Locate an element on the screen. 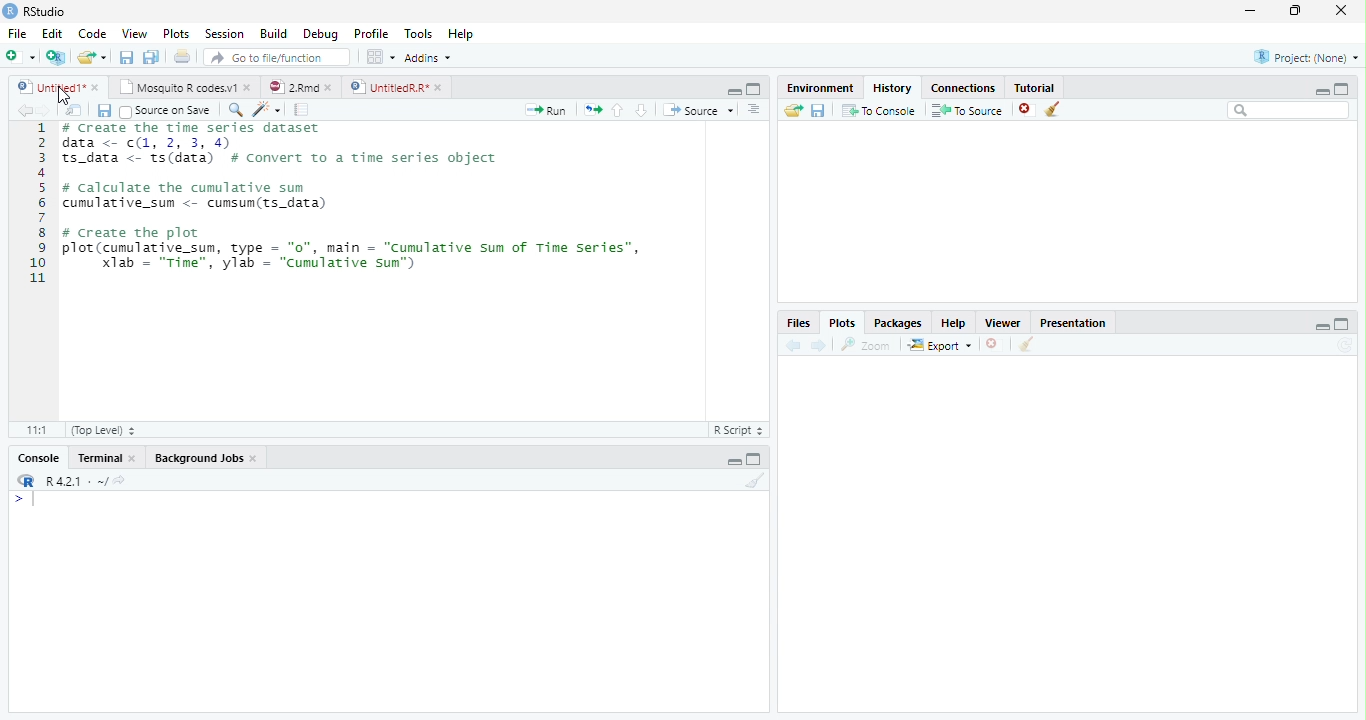 This screenshot has width=1366, height=720. >  is located at coordinates (20, 498).